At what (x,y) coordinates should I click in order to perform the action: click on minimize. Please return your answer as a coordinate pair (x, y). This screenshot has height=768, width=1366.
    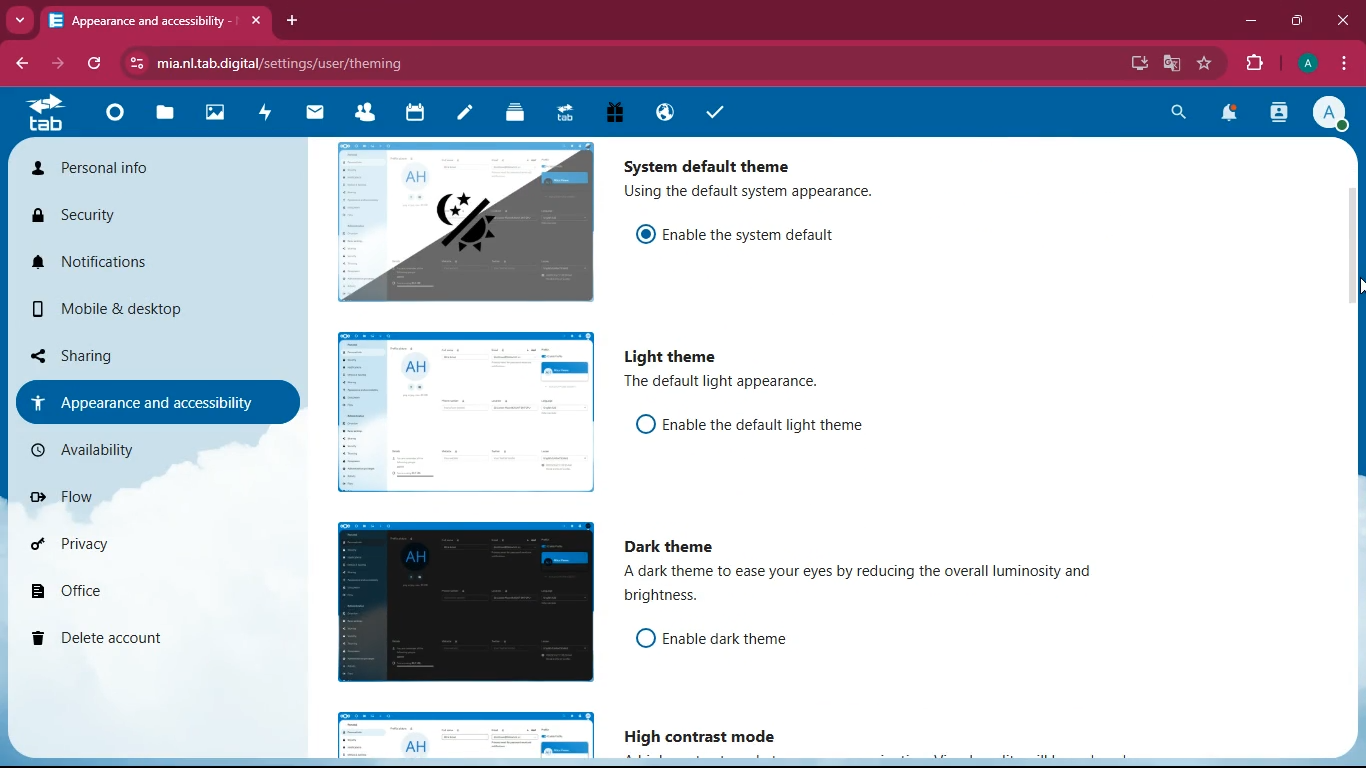
    Looking at the image, I should click on (1251, 24).